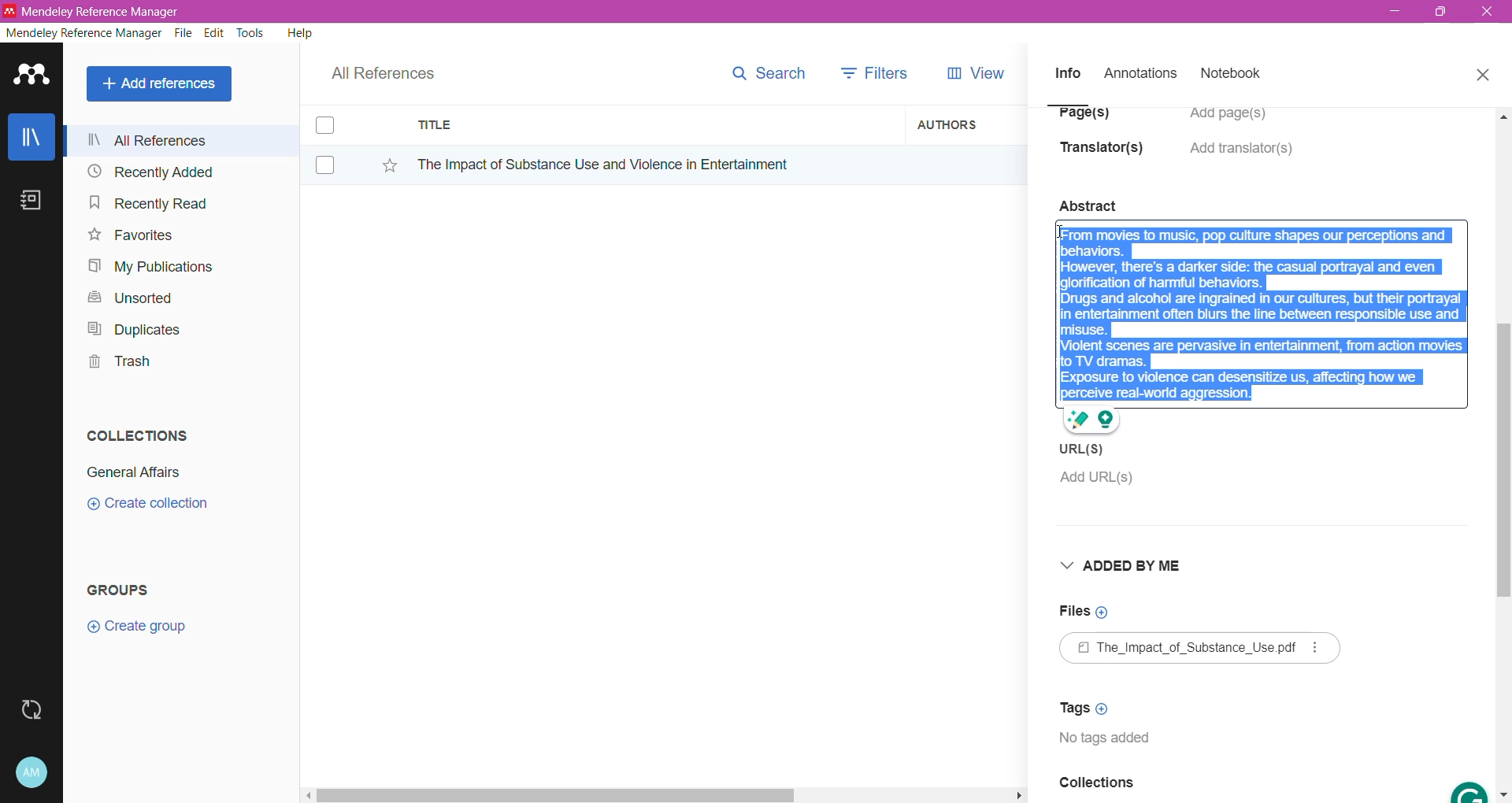 The height and width of the screenshot is (803, 1512). I want to click on Edit, so click(214, 33).